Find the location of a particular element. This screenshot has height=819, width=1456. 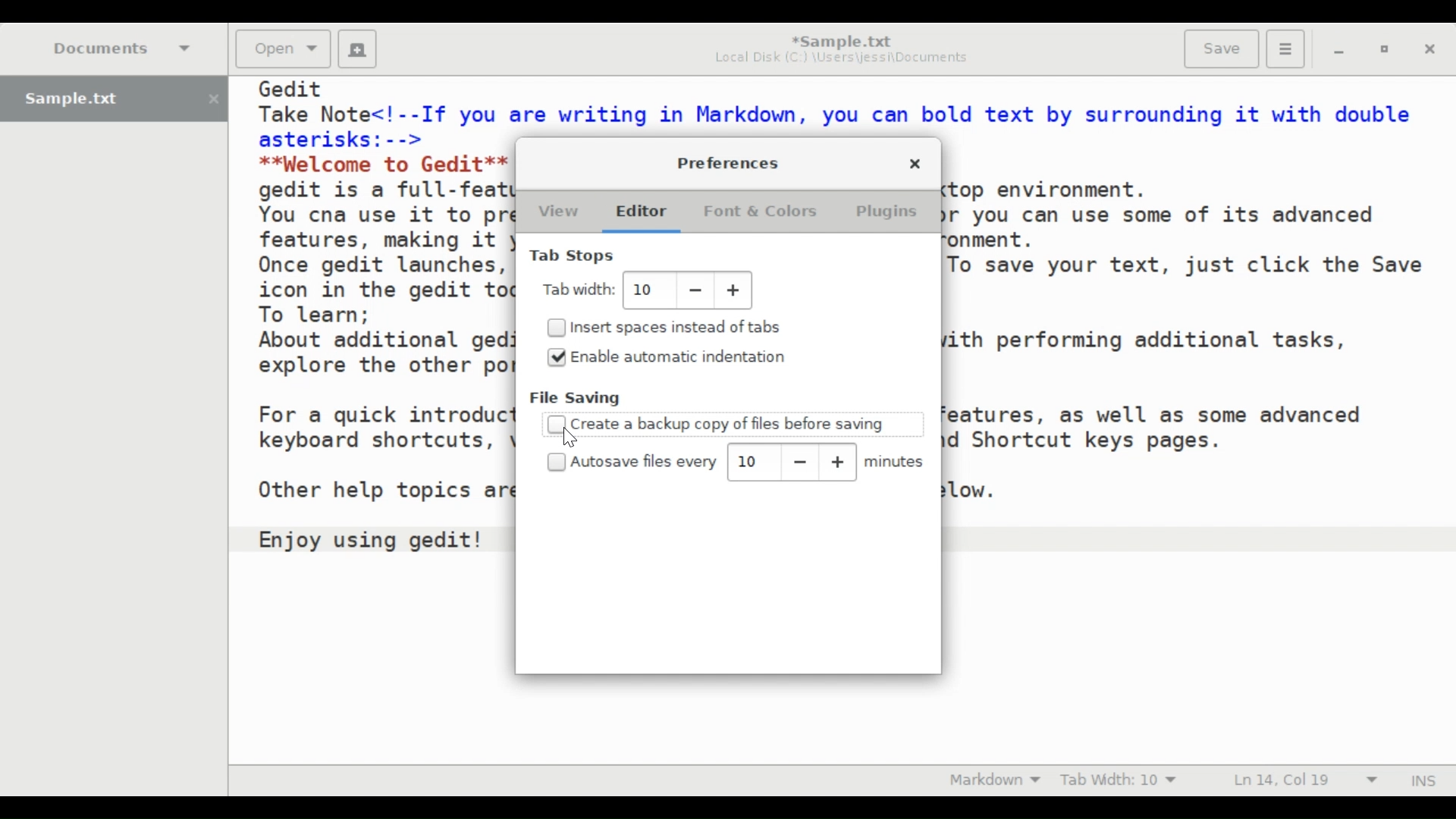

Tab Width: 10 is located at coordinates (1122, 780).